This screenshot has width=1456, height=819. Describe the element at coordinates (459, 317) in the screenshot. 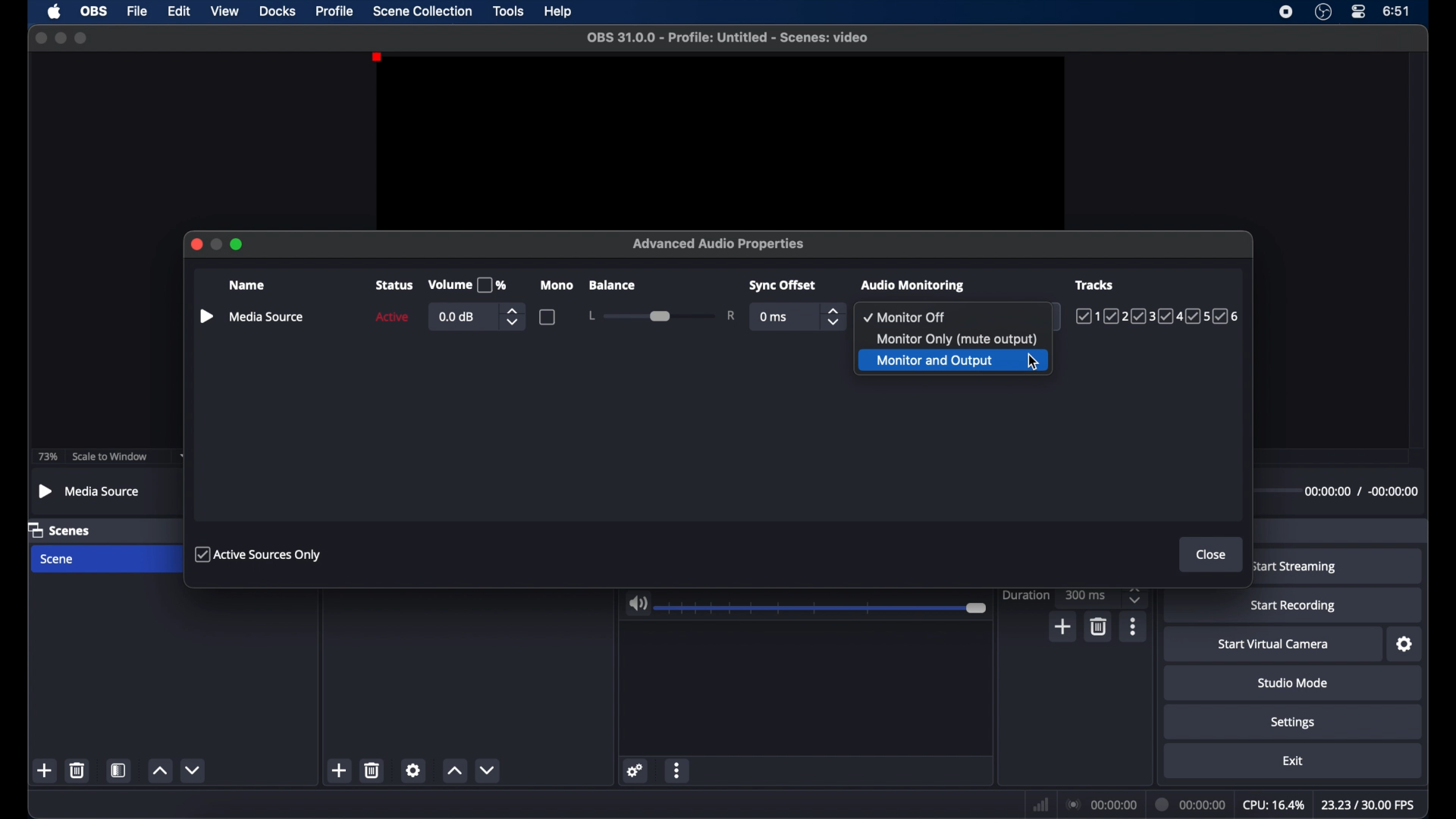

I see `0.0db` at that location.